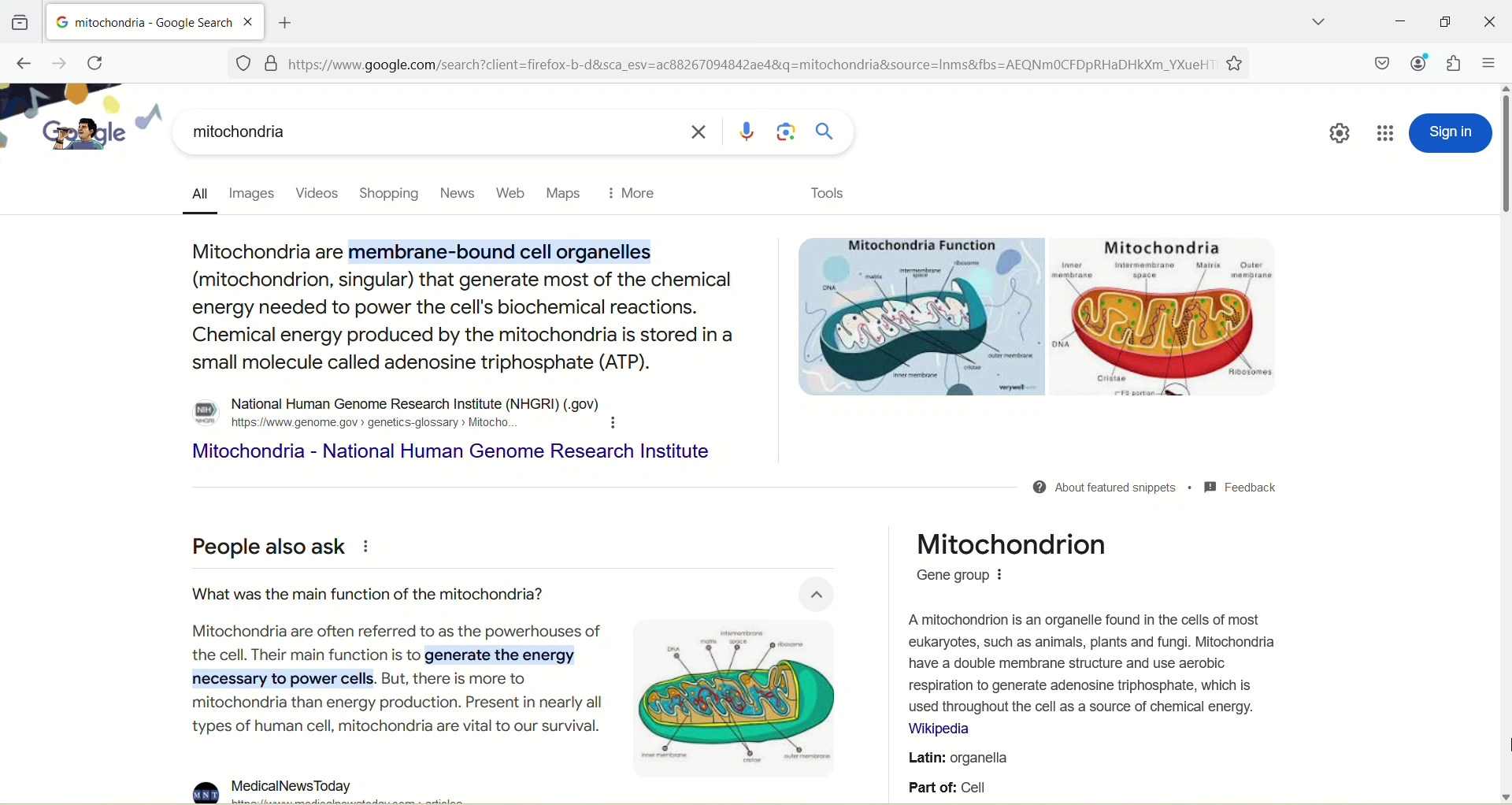 This screenshot has height=805, width=1512. Describe the element at coordinates (1306, 20) in the screenshot. I see `list all tabs` at that location.